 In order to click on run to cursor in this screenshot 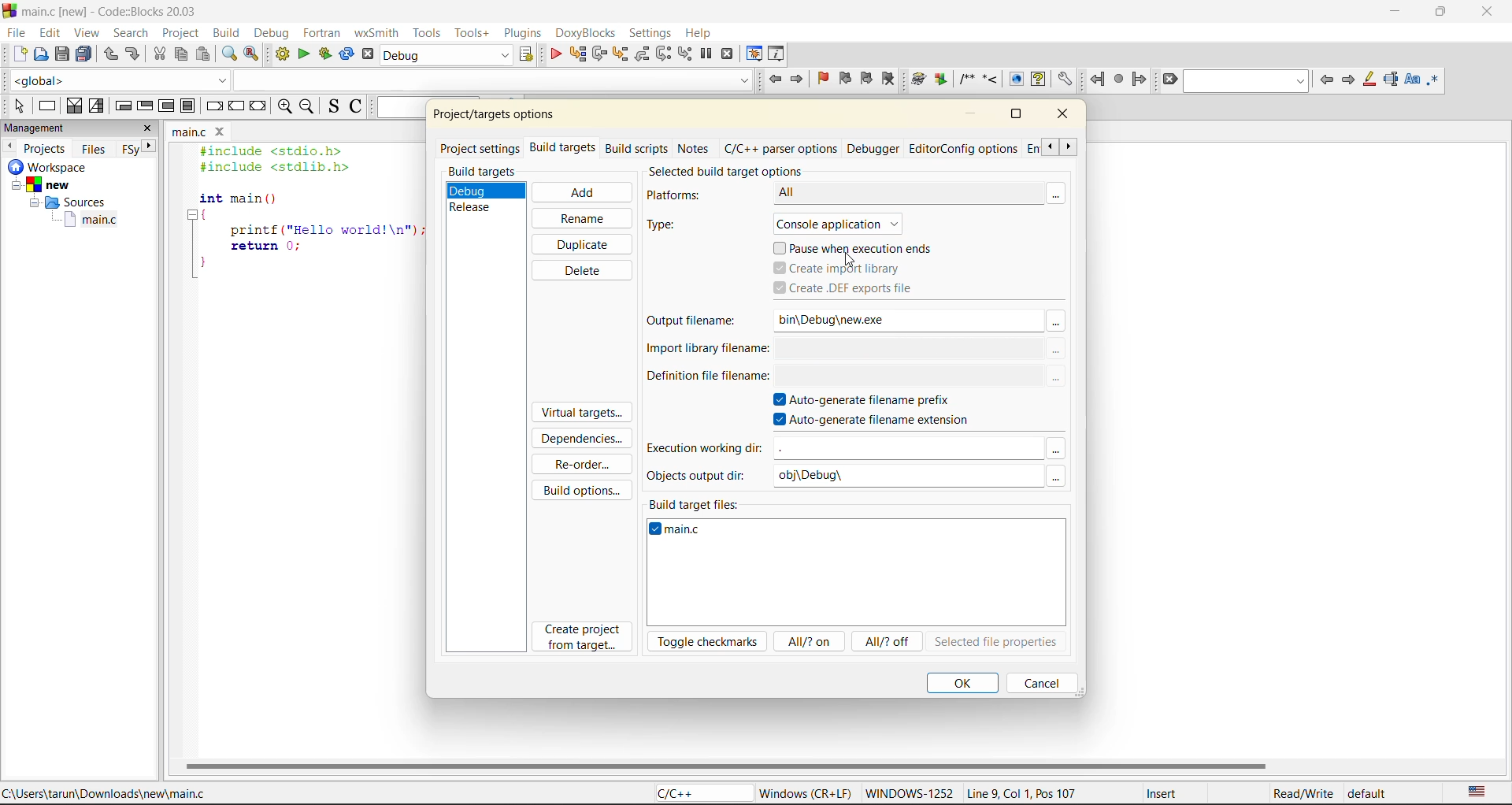, I will do `click(579, 54)`.